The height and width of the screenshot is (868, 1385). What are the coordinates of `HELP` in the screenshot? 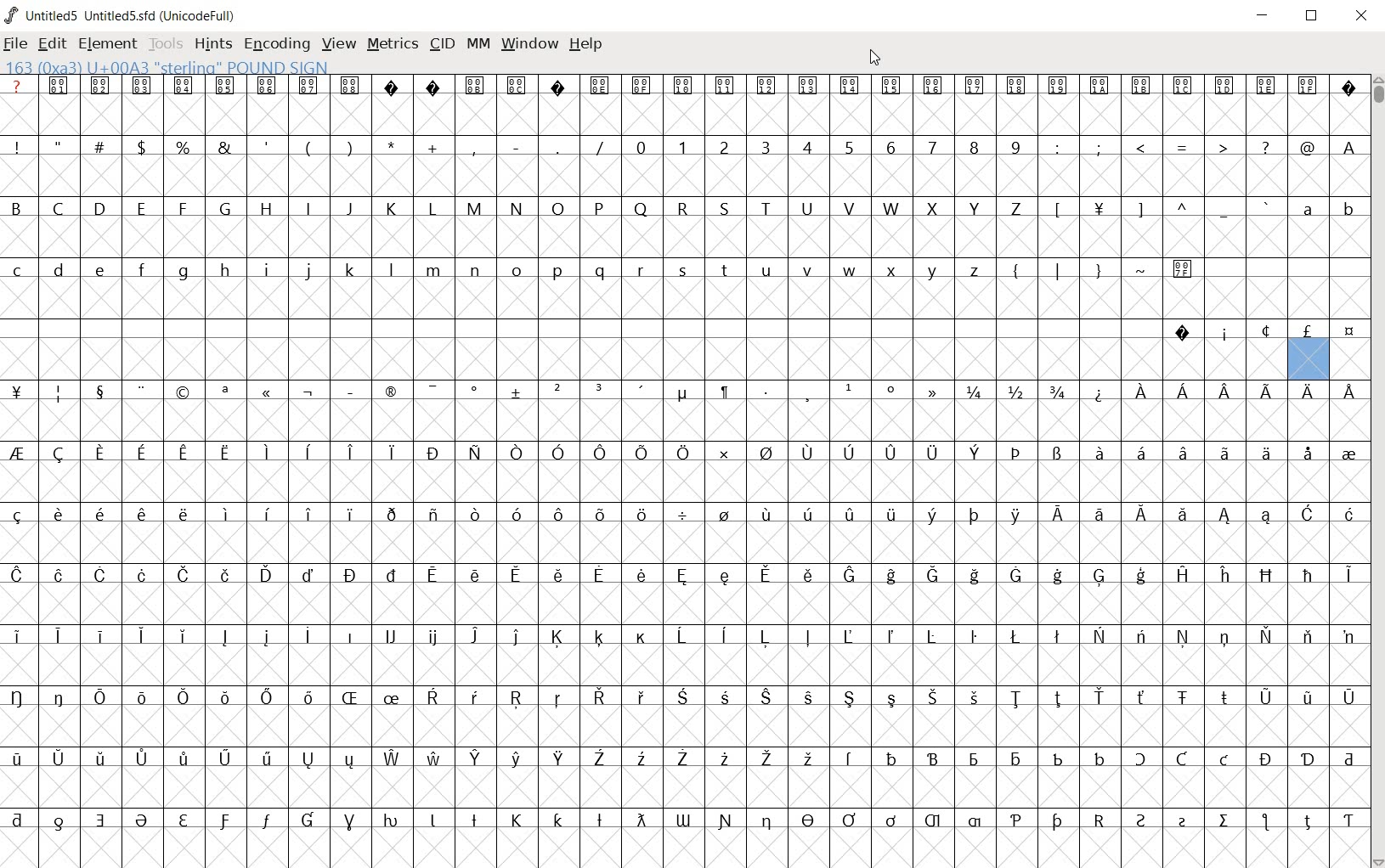 It's located at (585, 46).